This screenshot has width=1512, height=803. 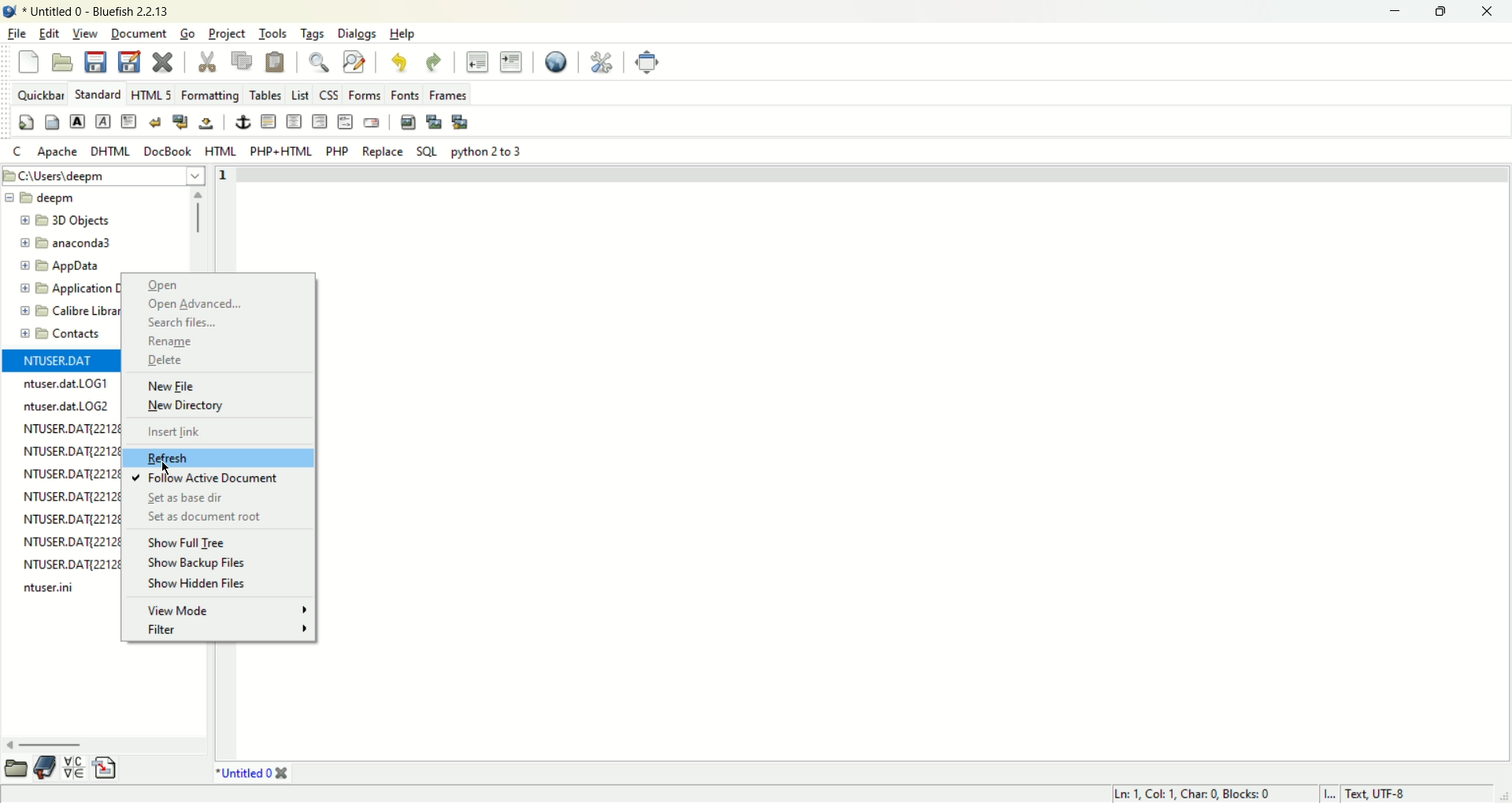 What do you see at coordinates (360, 96) in the screenshot?
I see `forms` at bounding box center [360, 96].